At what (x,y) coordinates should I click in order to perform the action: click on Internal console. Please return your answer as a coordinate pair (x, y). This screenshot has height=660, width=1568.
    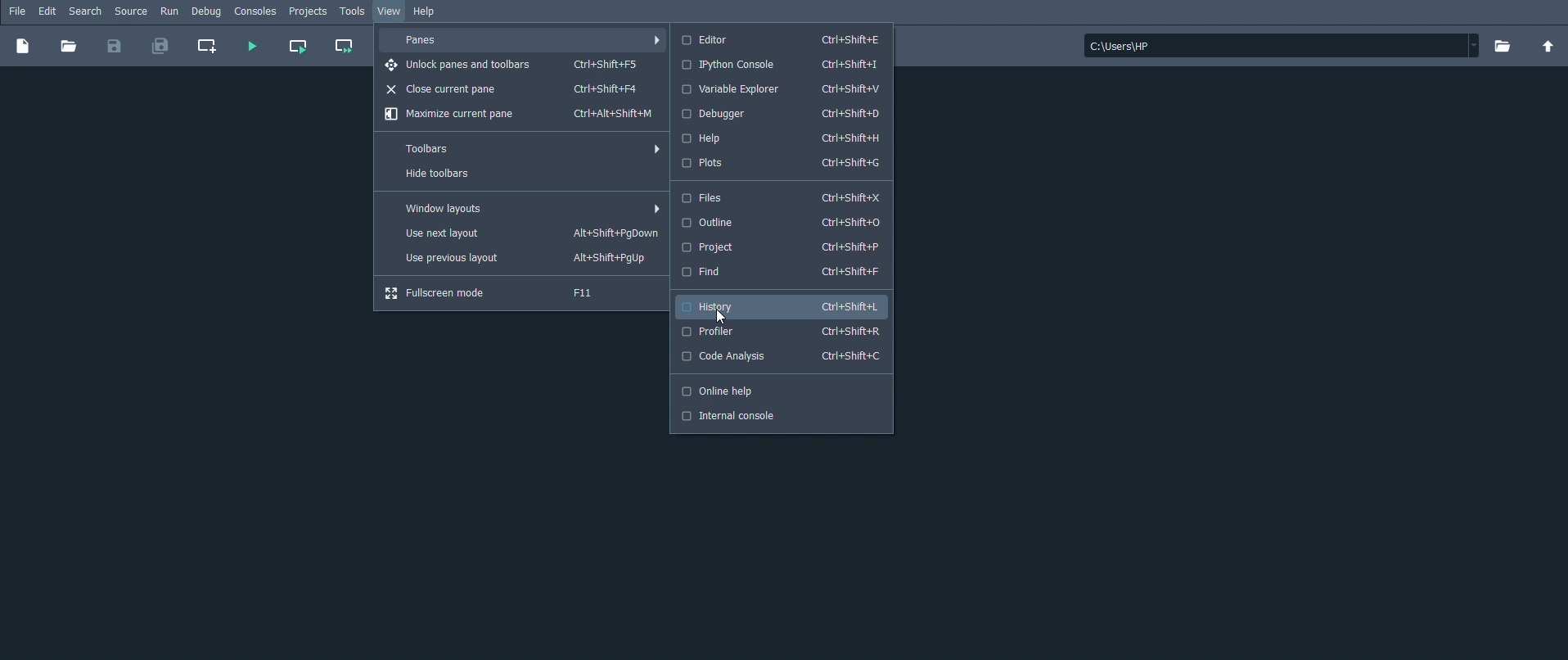
    Looking at the image, I should click on (781, 416).